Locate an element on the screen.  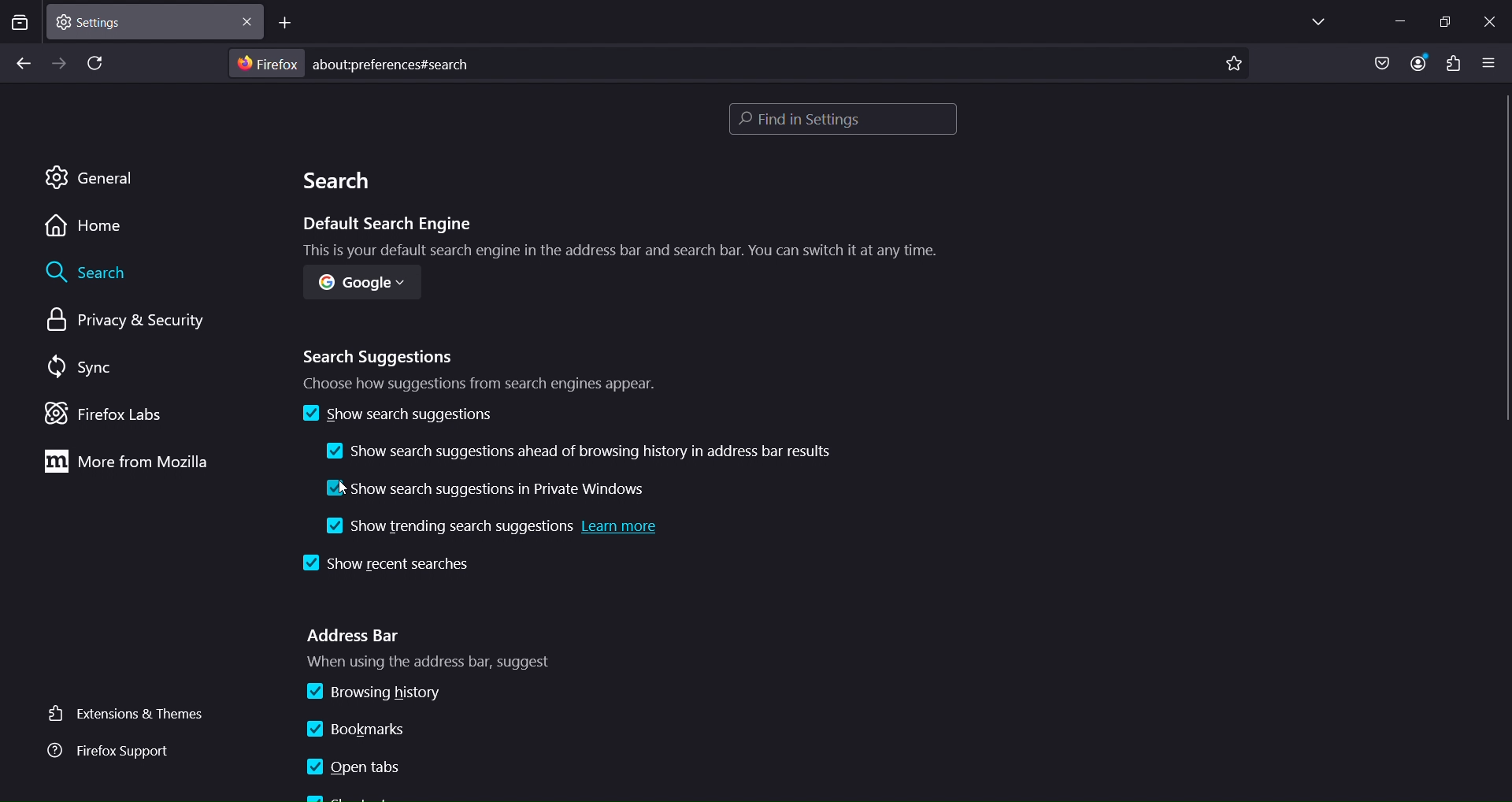
extensions & themes is located at coordinates (129, 715).